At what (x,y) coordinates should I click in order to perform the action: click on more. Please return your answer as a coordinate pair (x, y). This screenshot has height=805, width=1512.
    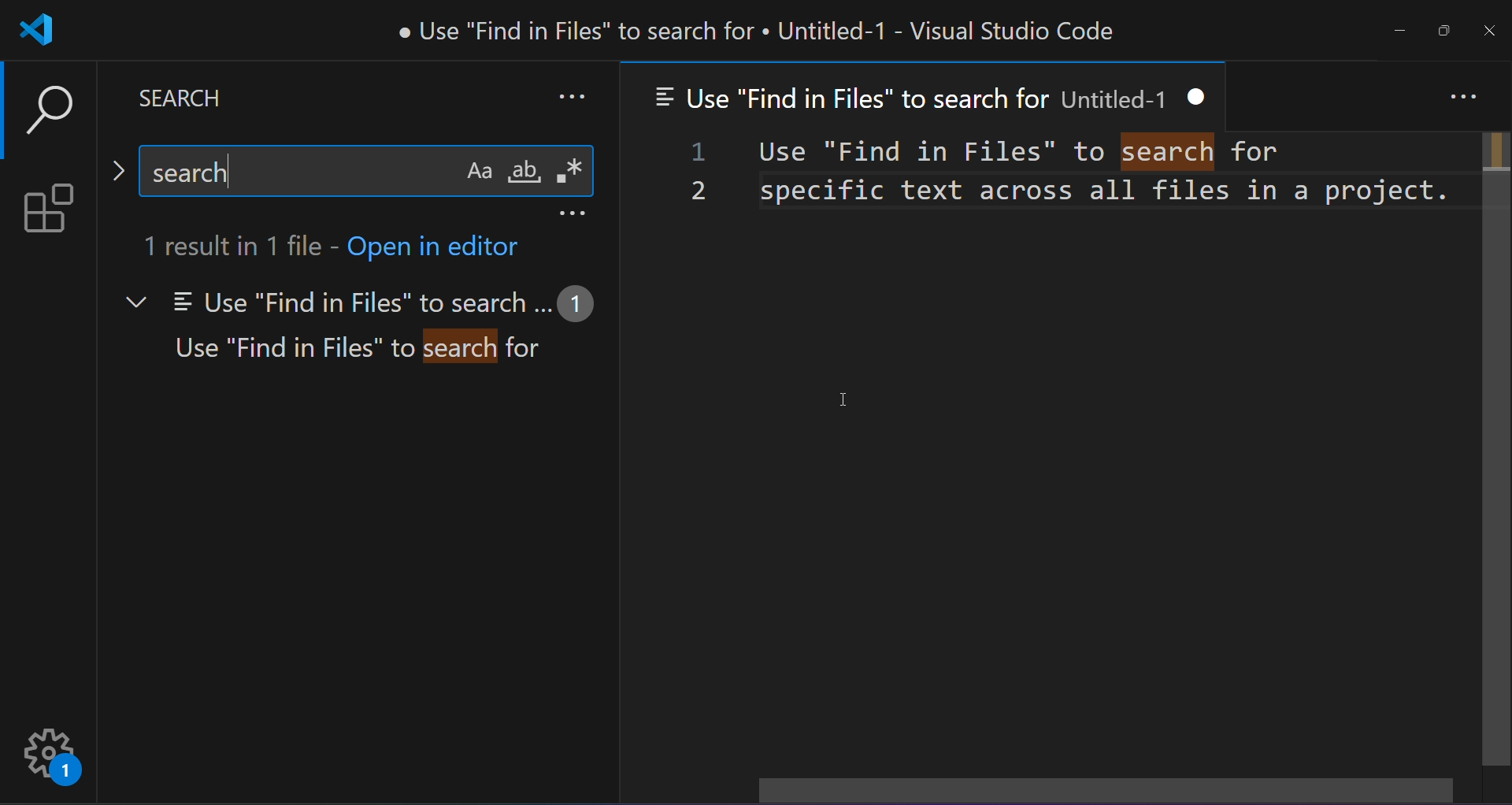
    Looking at the image, I should click on (1458, 99).